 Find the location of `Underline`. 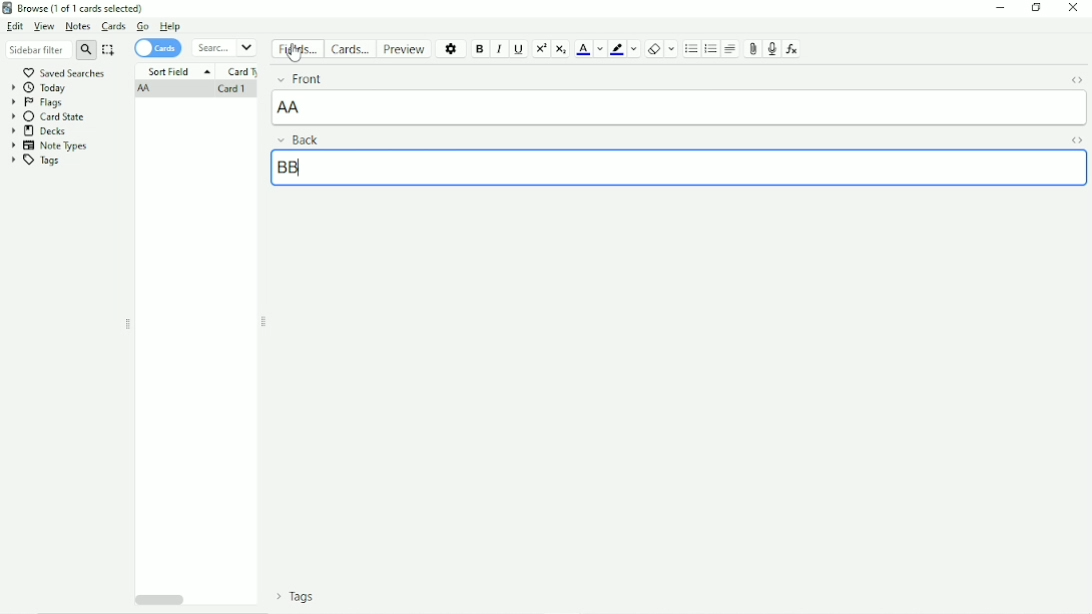

Underline is located at coordinates (519, 49).